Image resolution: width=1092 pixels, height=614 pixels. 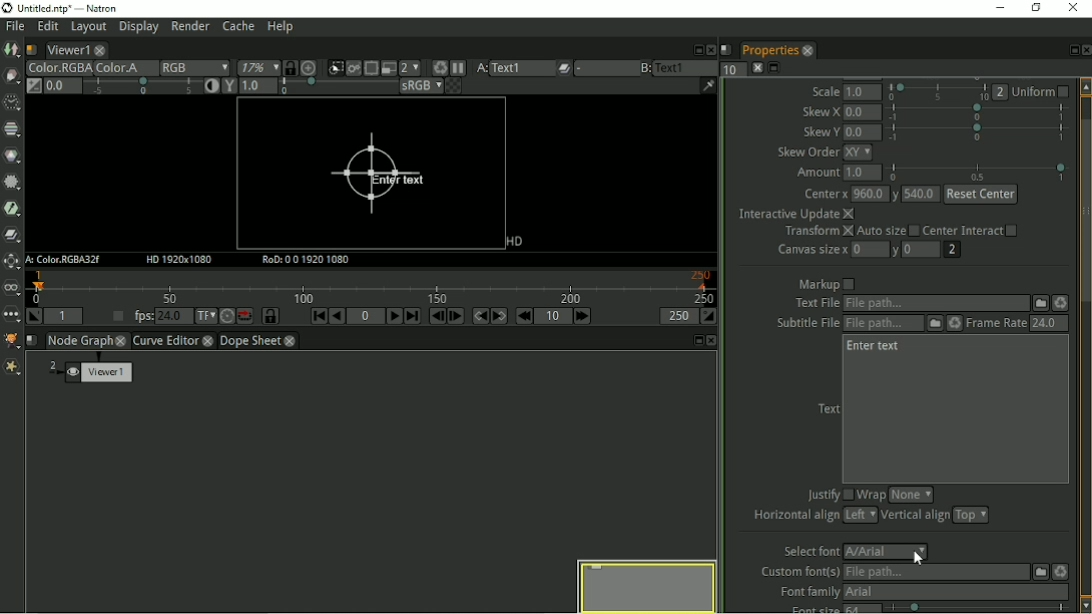 What do you see at coordinates (776, 68) in the screenshot?
I see `Minimize/maximize all panels` at bounding box center [776, 68].